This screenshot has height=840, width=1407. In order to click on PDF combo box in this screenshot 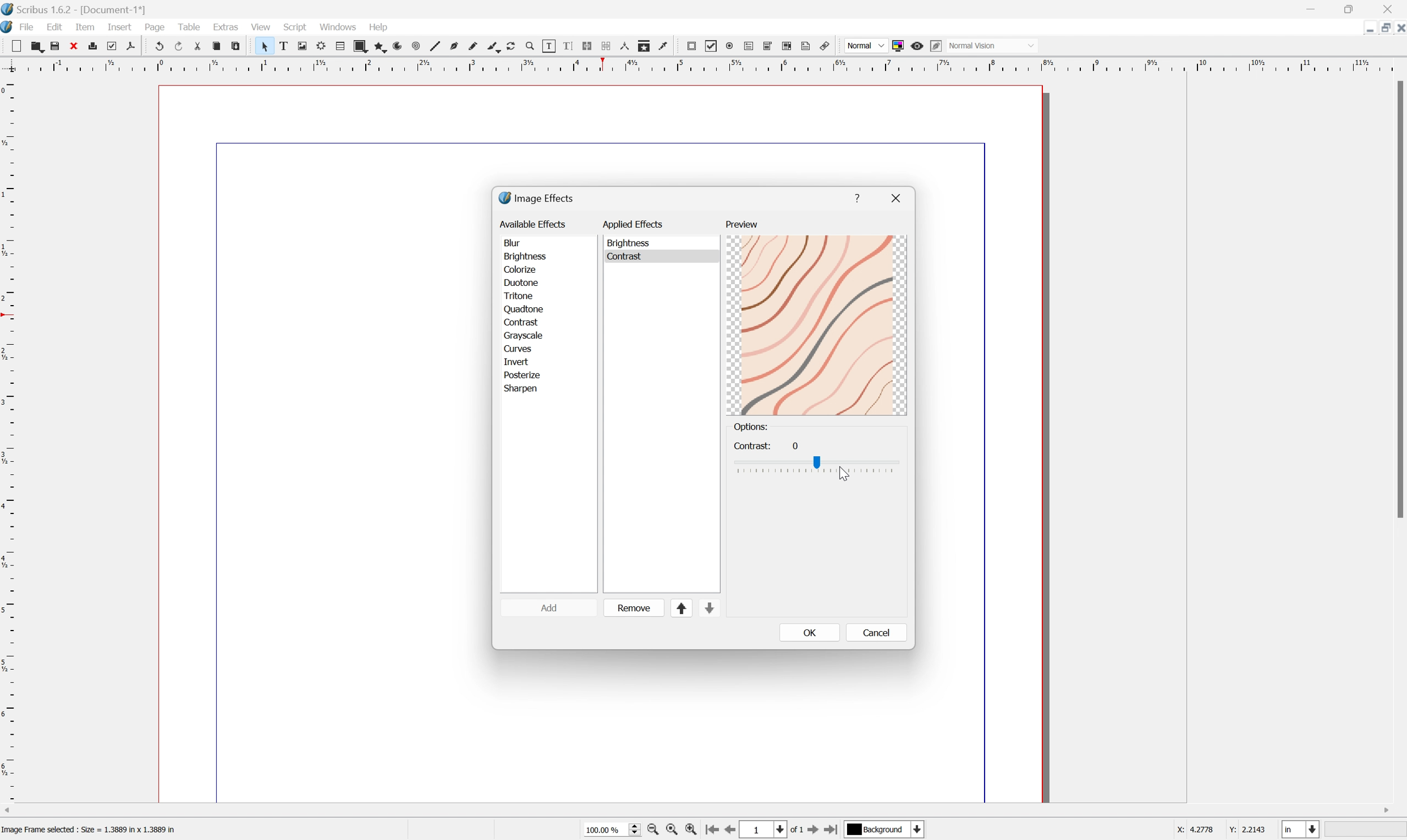, I will do `click(769, 47)`.